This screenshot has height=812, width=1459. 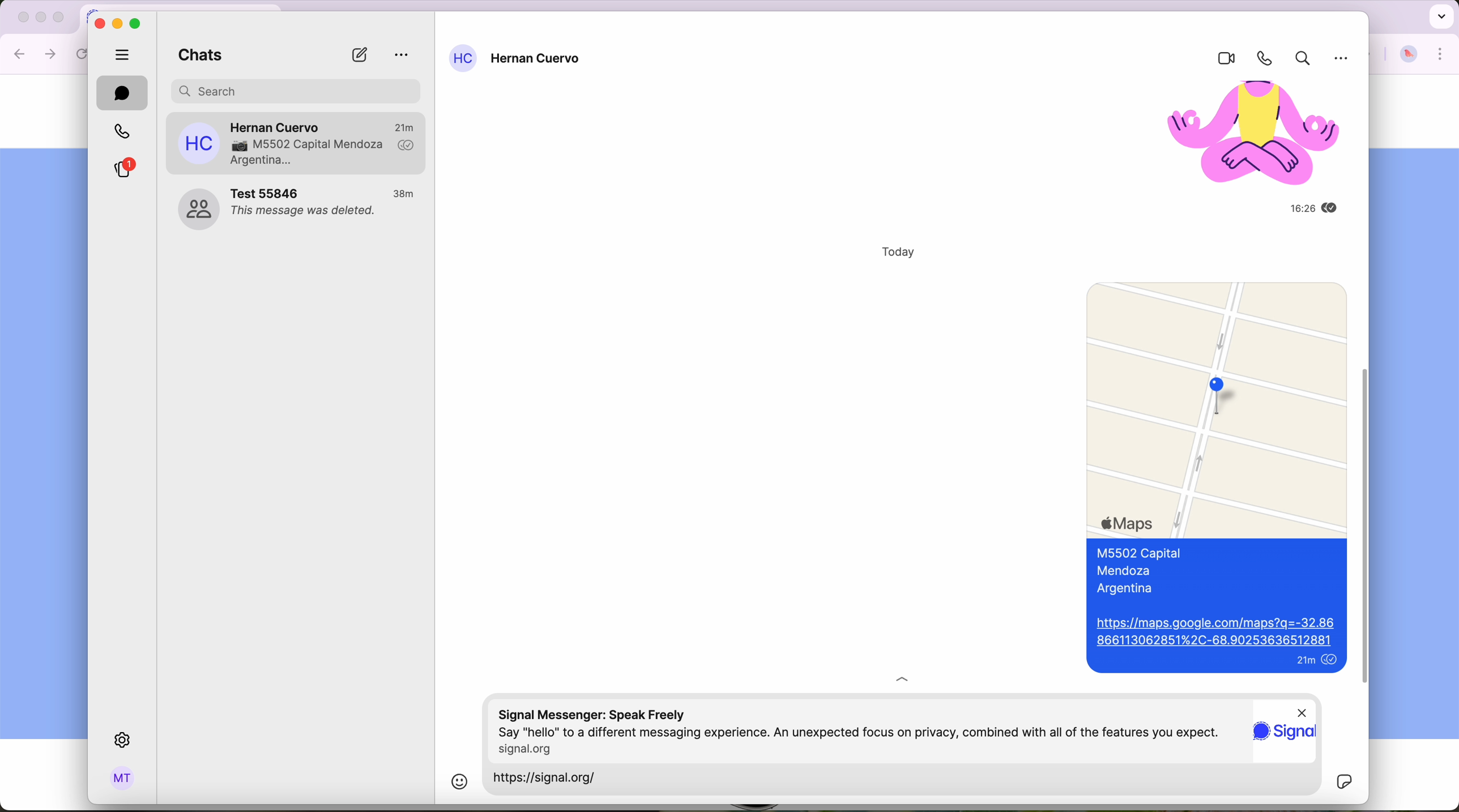 What do you see at coordinates (321, 145) in the screenshot?
I see `M5502 Capital Mendoza` at bounding box center [321, 145].